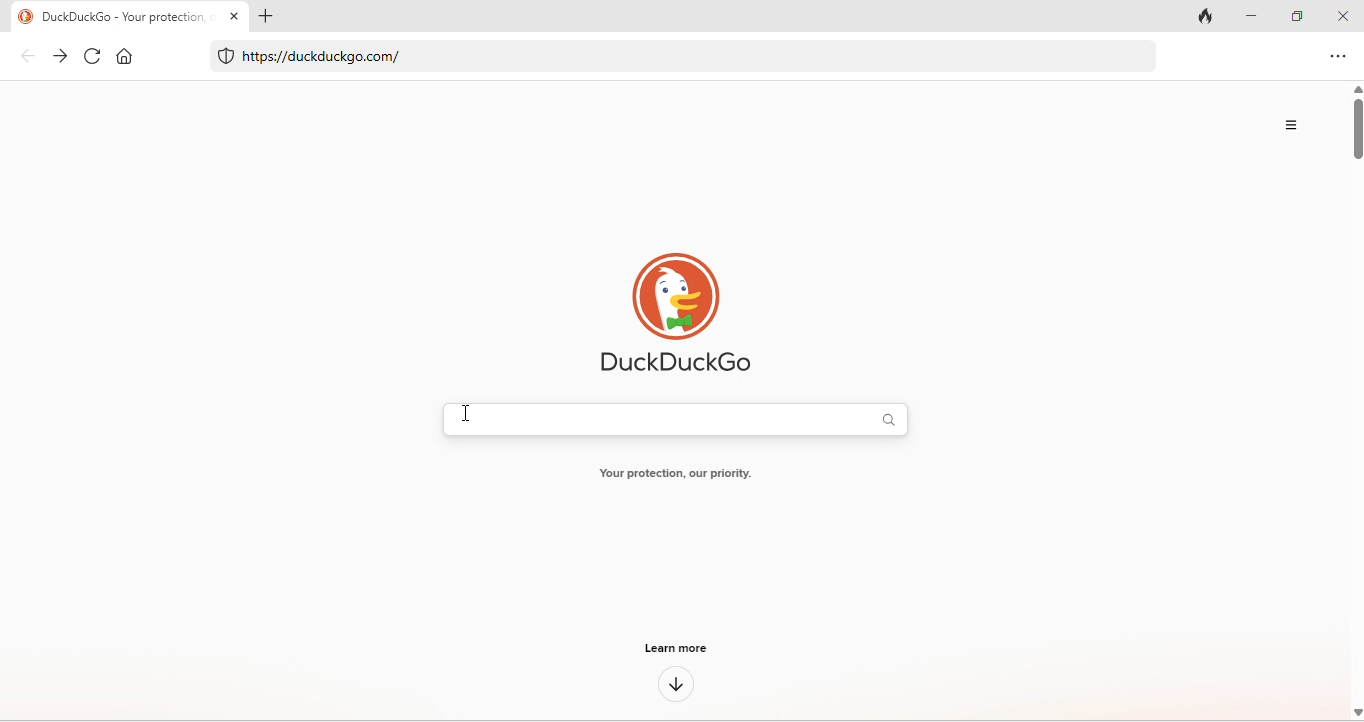  What do you see at coordinates (682, 649) in the screenshot?
I see `learn more` at bounding box center [682, 649].